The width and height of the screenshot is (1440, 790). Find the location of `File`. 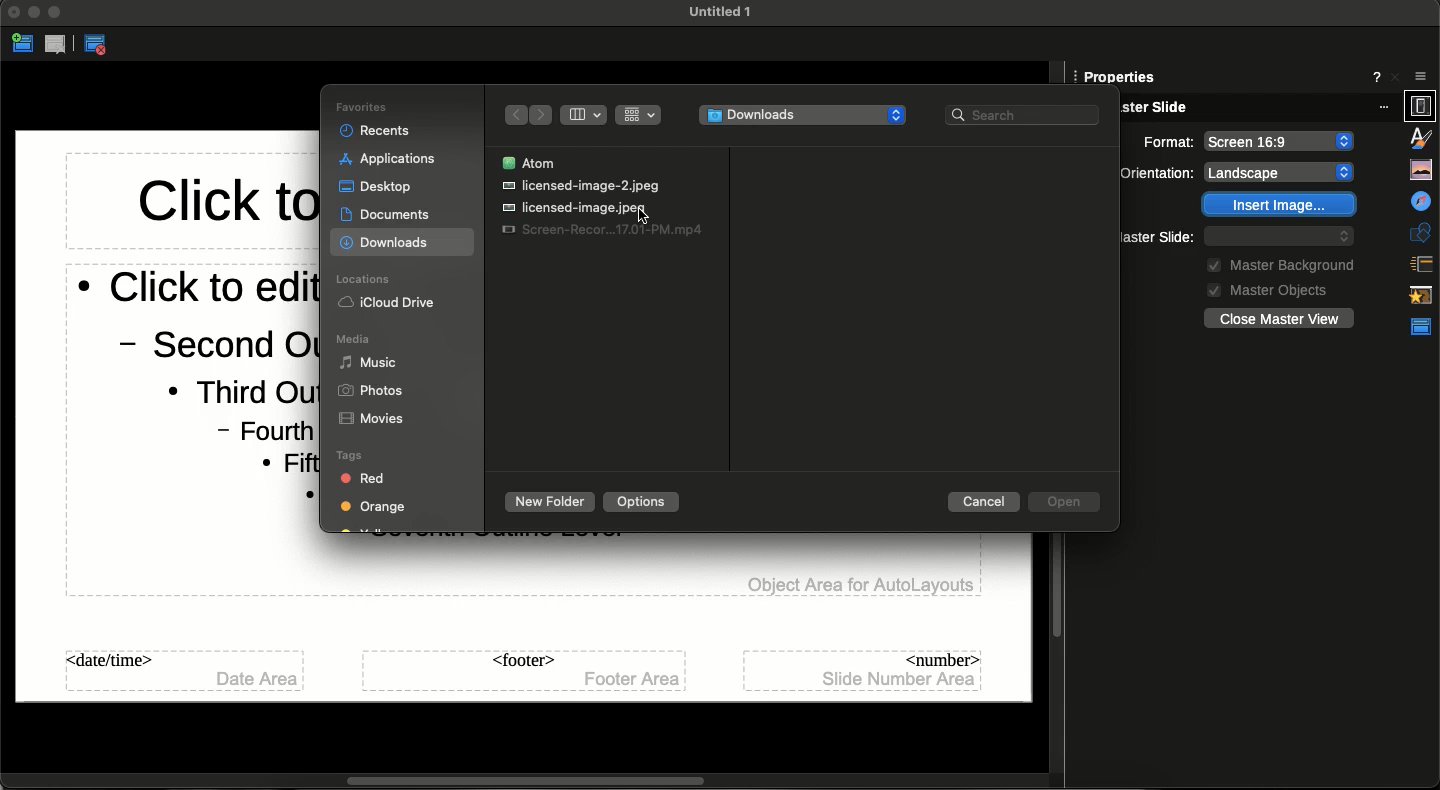

File is located at coordinates (574, 207).